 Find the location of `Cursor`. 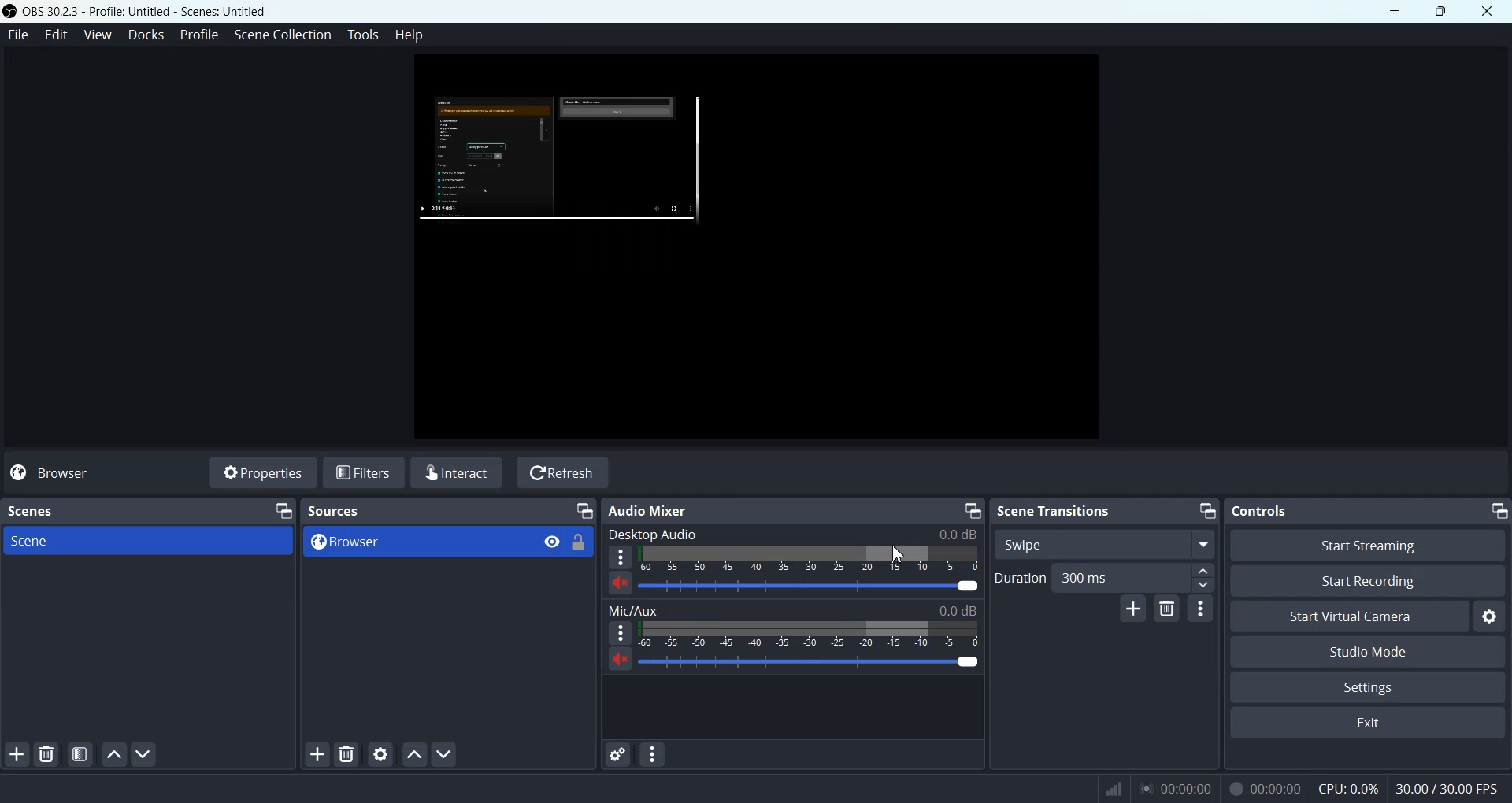

Cursor is located at coordinates (899, 557).